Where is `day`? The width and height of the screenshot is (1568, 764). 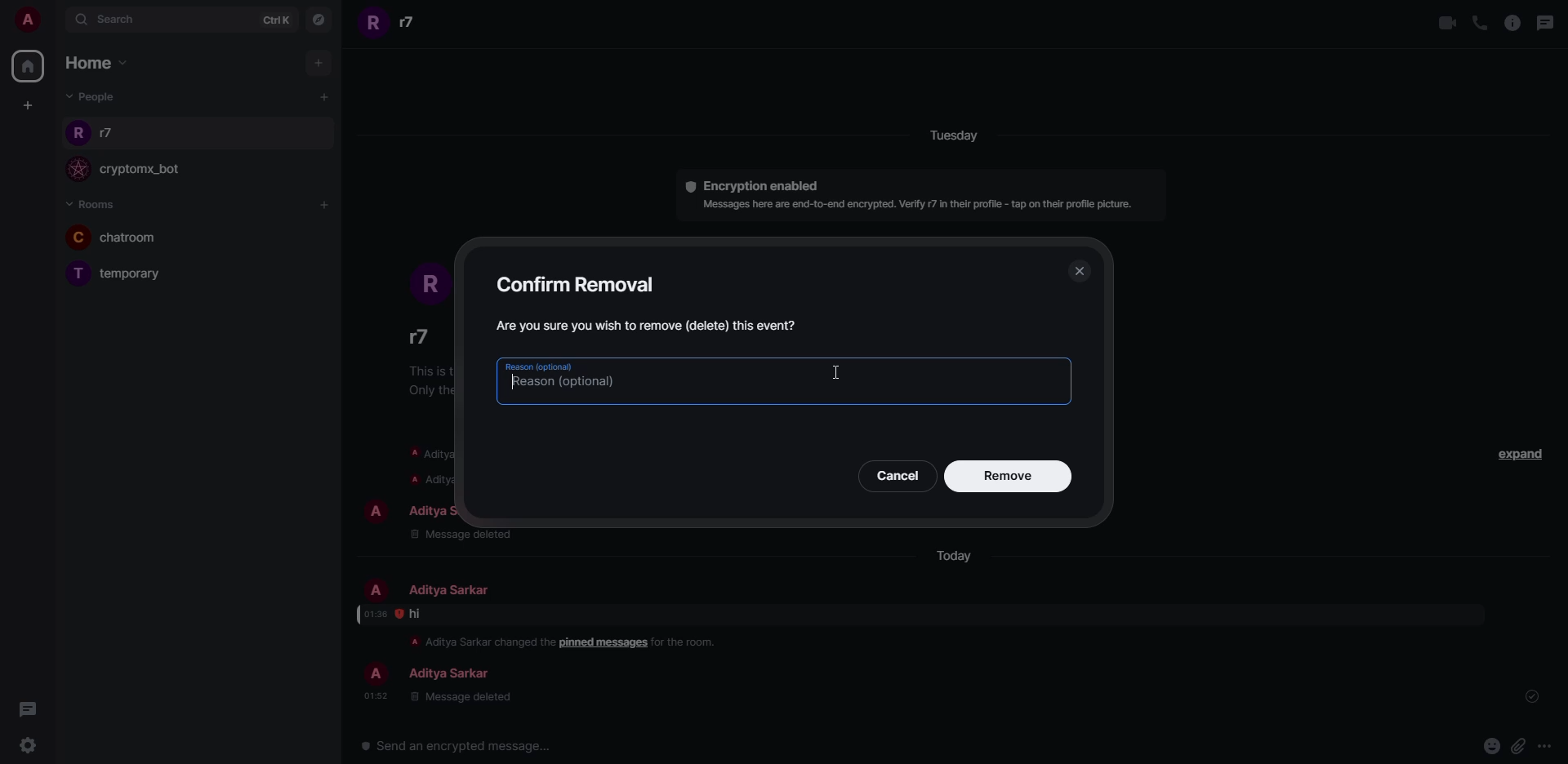 day is located at coordinates (952, 557).